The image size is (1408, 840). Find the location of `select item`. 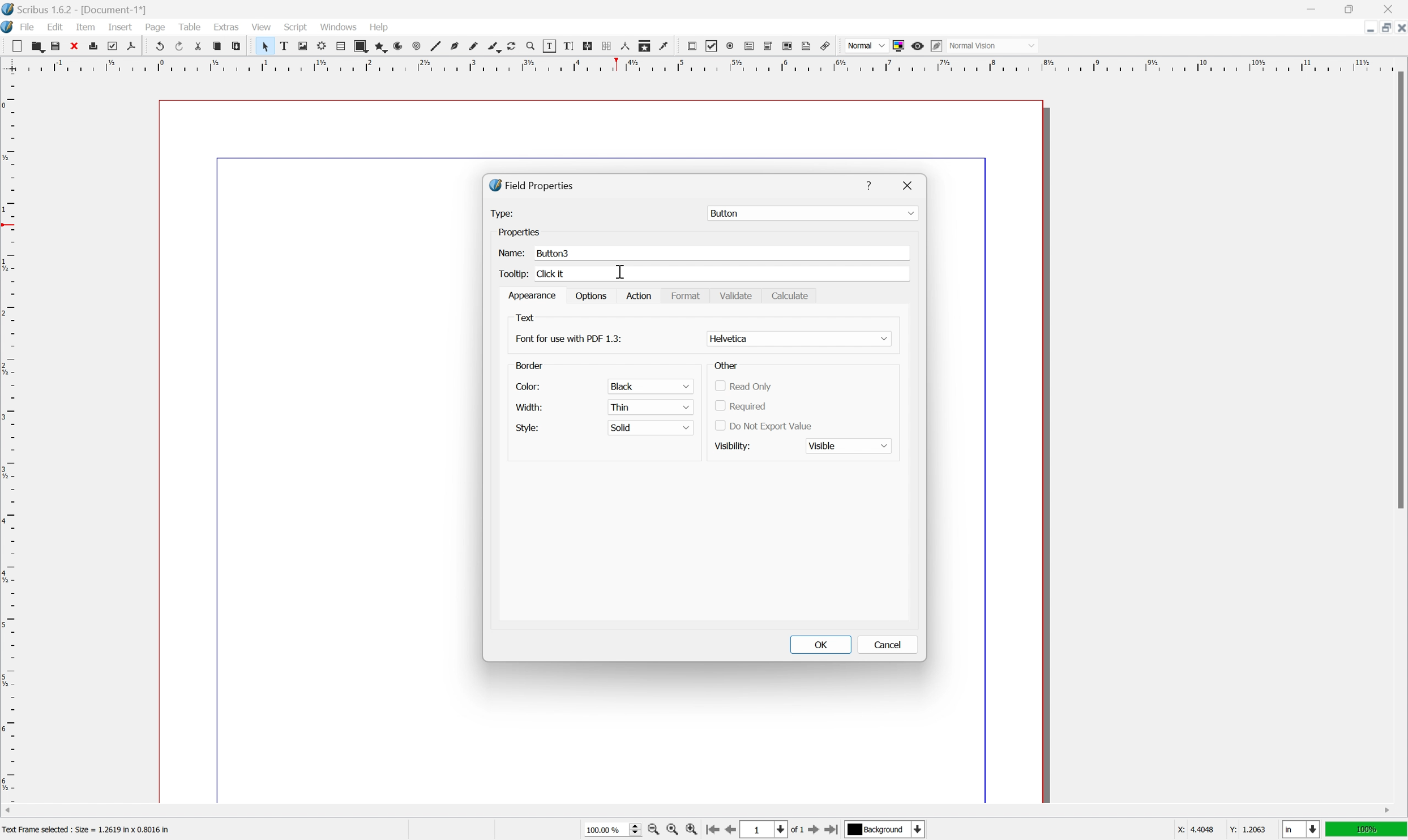

select item is located at coordinates (265, 46).